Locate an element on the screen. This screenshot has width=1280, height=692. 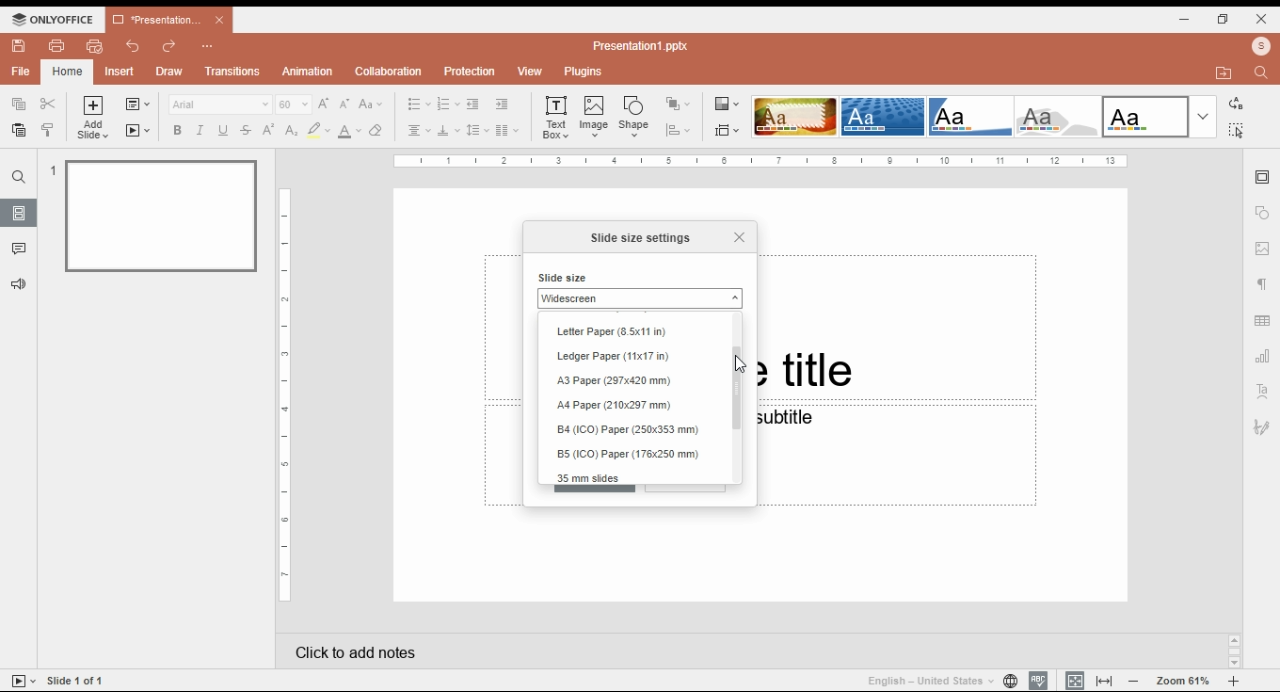
quick print  is located at coordinates (95, 46).